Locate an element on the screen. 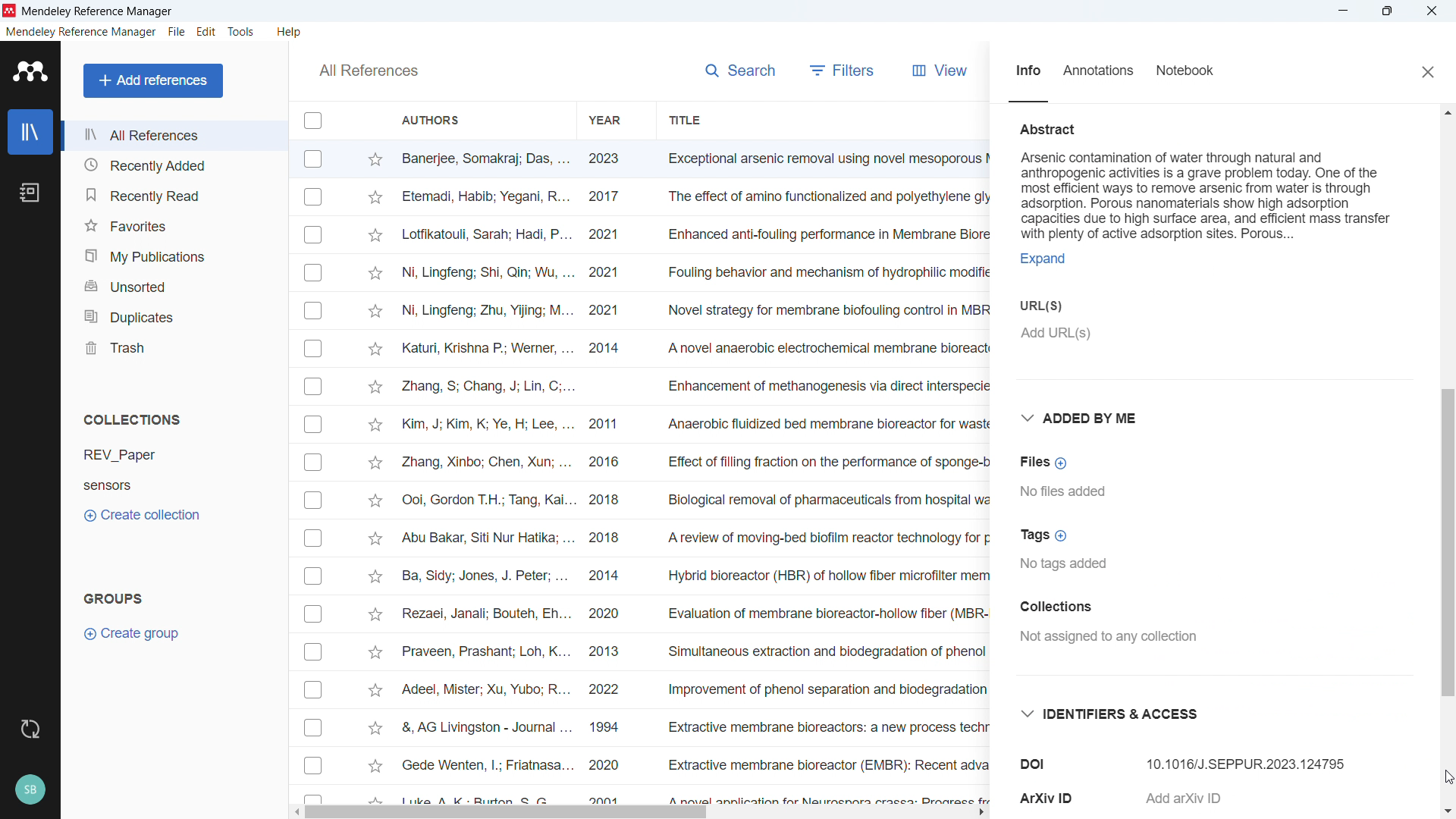 This screenshot has width=1456, height=819. add ar xiv id is located at coordinates (1181, 799).